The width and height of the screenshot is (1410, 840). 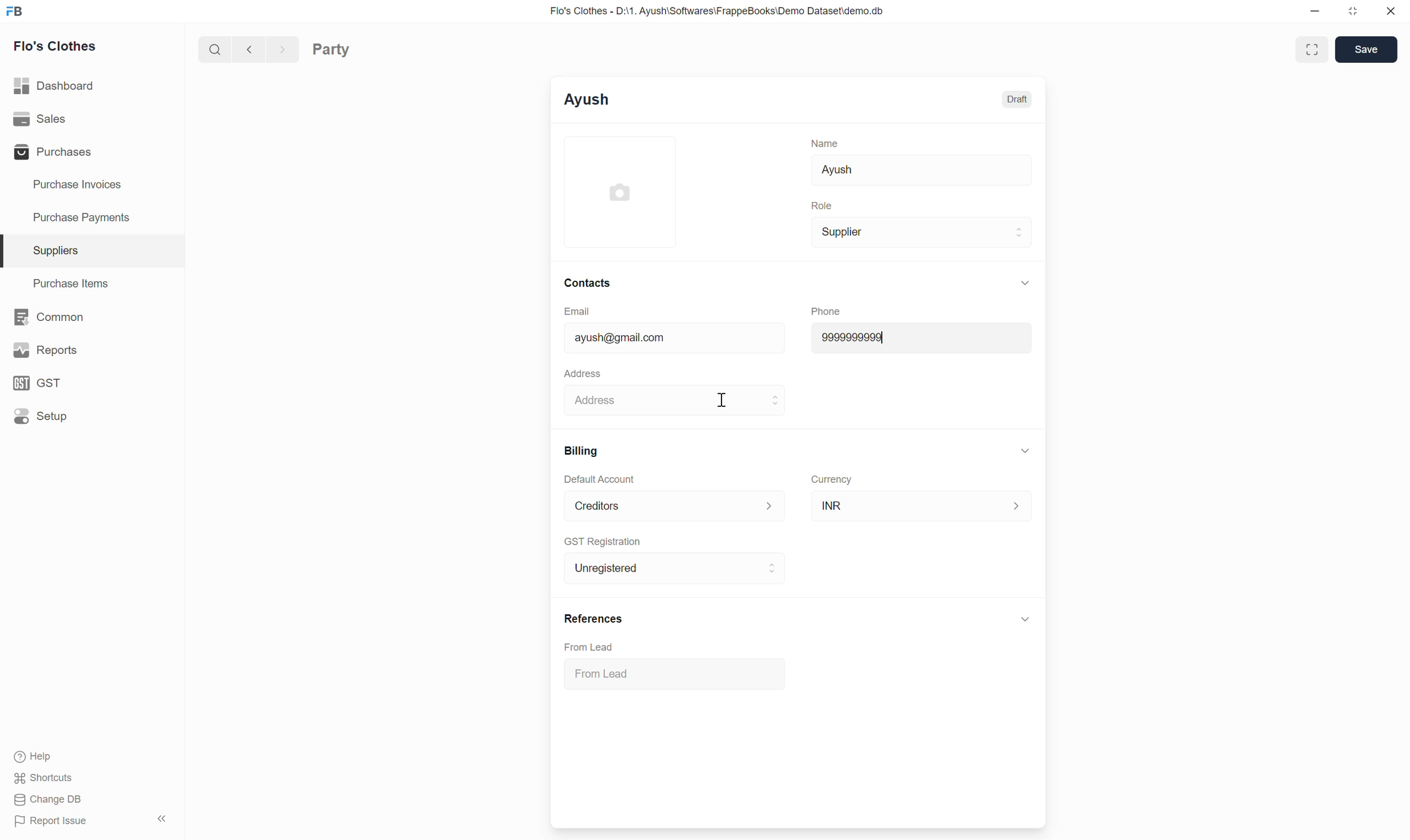 I want to click on Report Issue, so click(x=53, y=821).